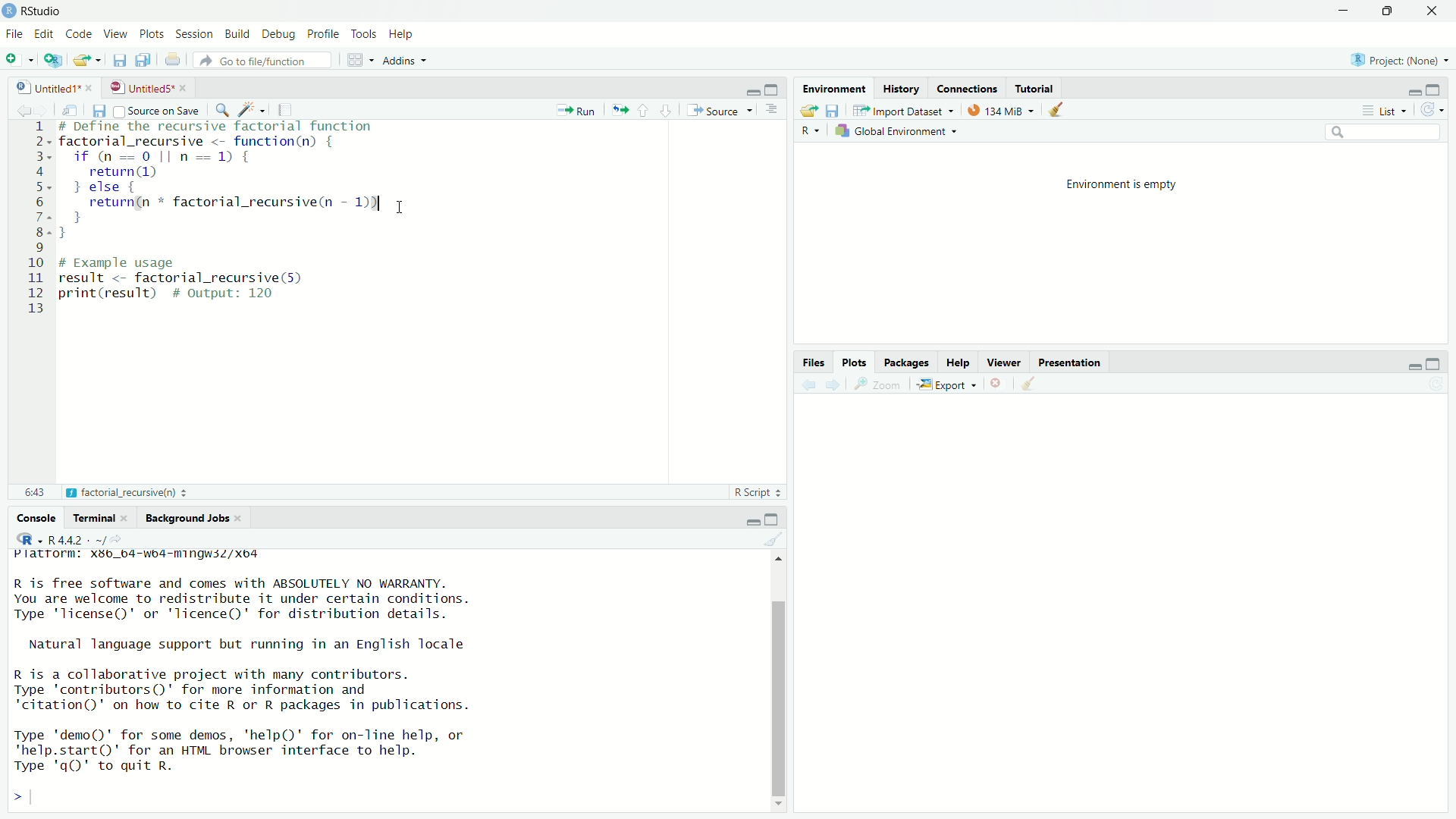 The height and width of the screenshot is (819, 1456). I want to click on Export, so click(949, 383).